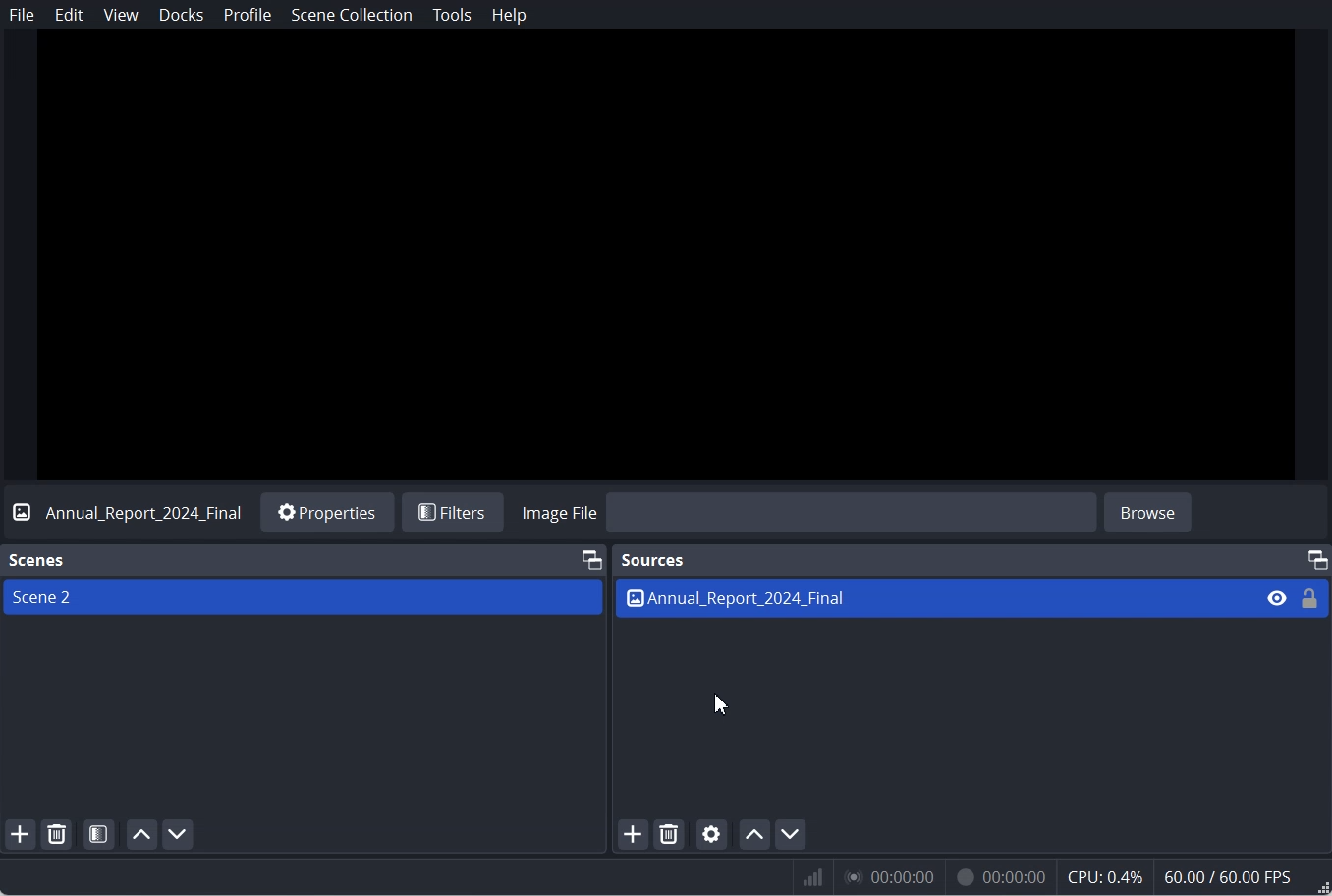  Describe the element at coordinates (123, 512) in the screenshot. I see `Text` at that location.